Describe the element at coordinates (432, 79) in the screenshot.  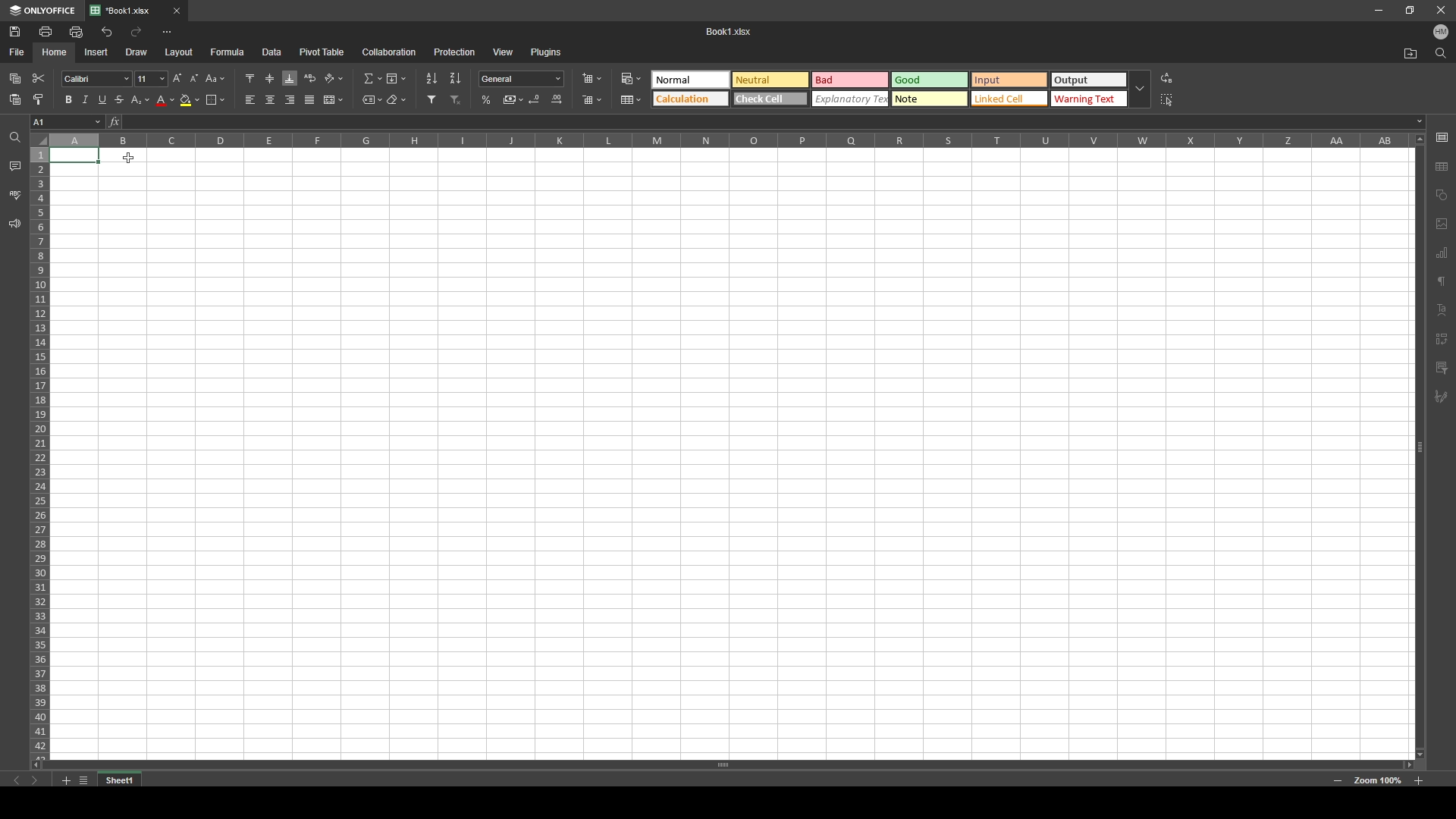
I see `sort ascending` at that location.